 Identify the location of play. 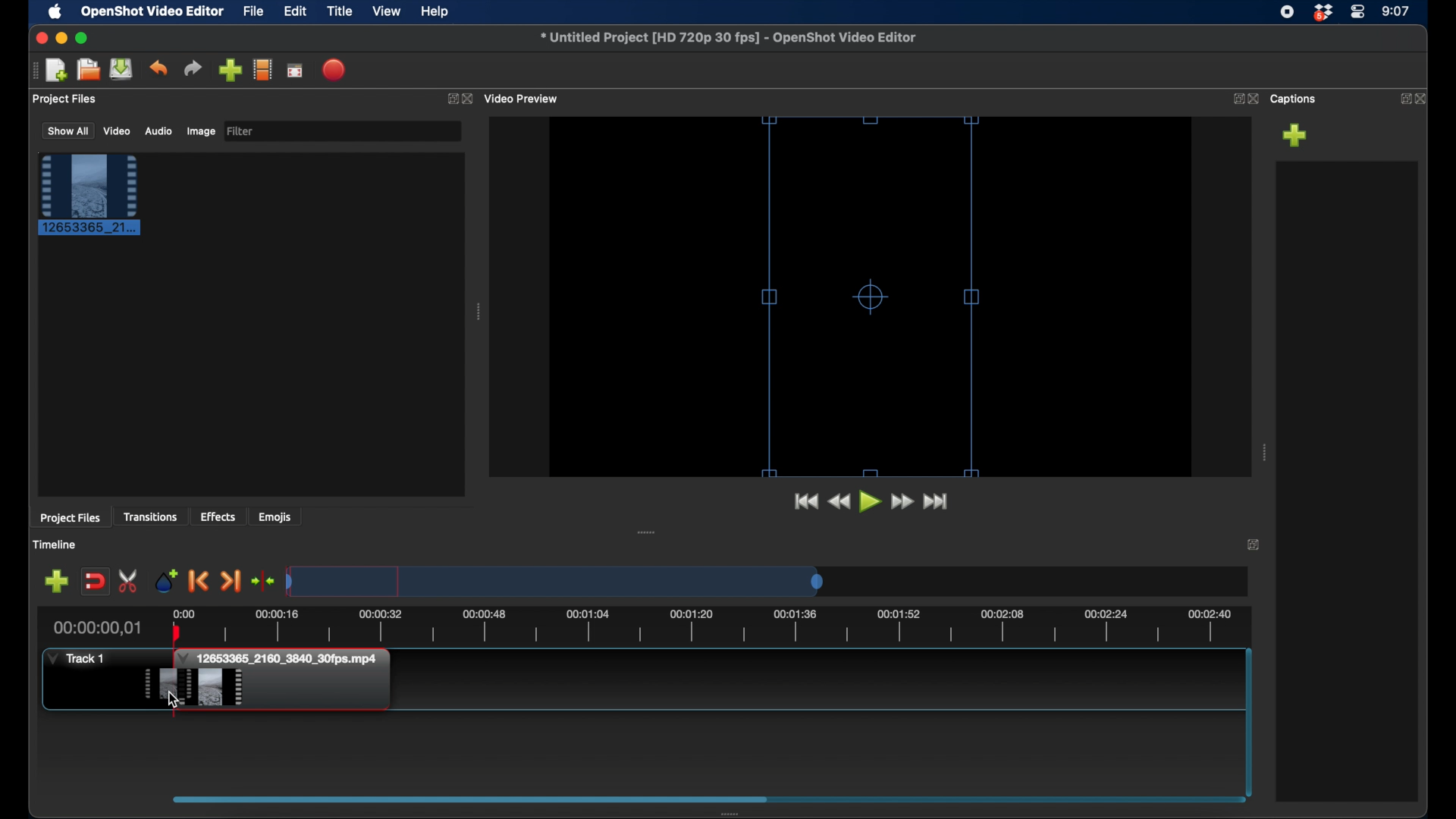
(869, 501).